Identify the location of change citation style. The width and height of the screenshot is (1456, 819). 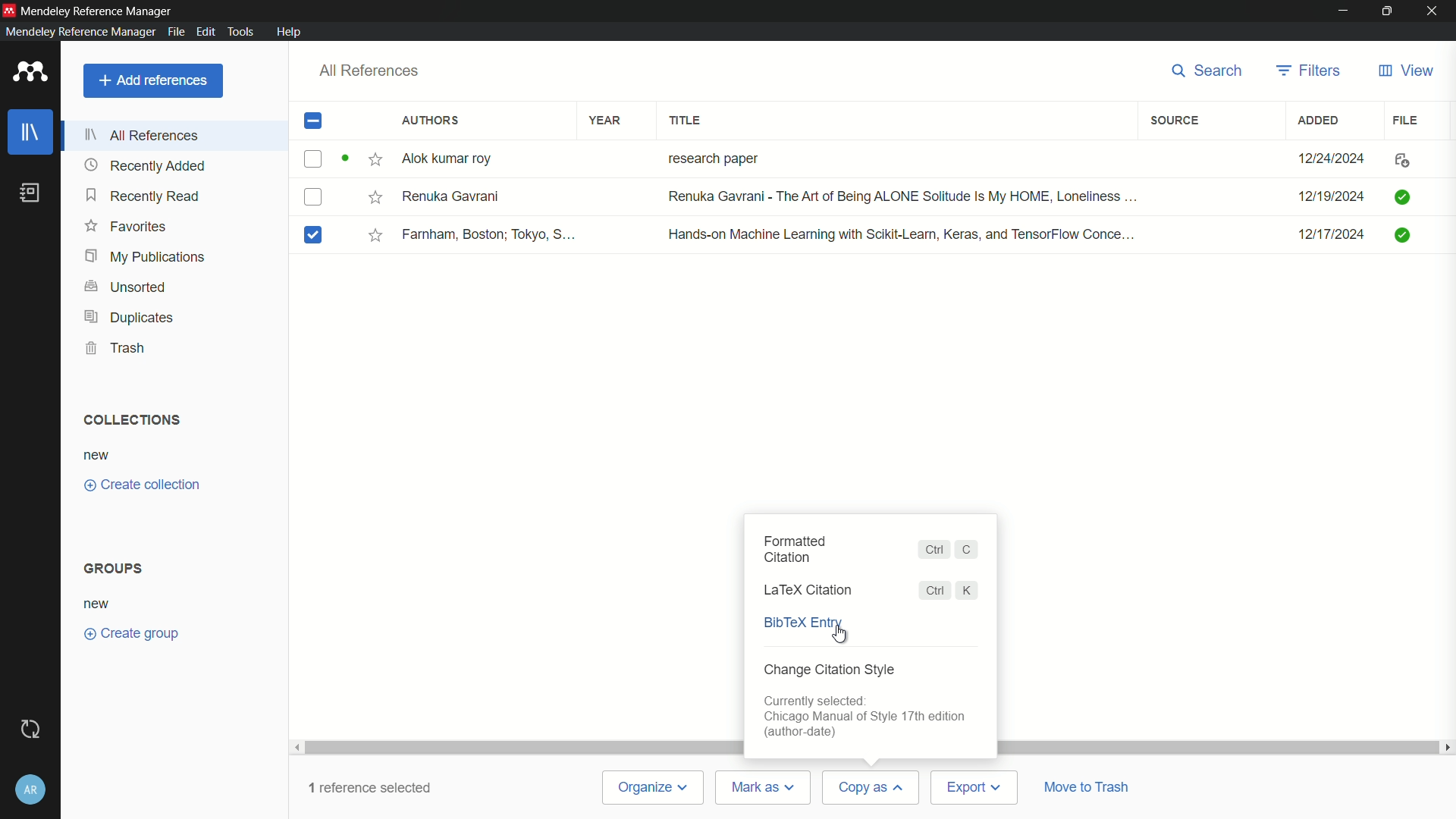
(830, 670).